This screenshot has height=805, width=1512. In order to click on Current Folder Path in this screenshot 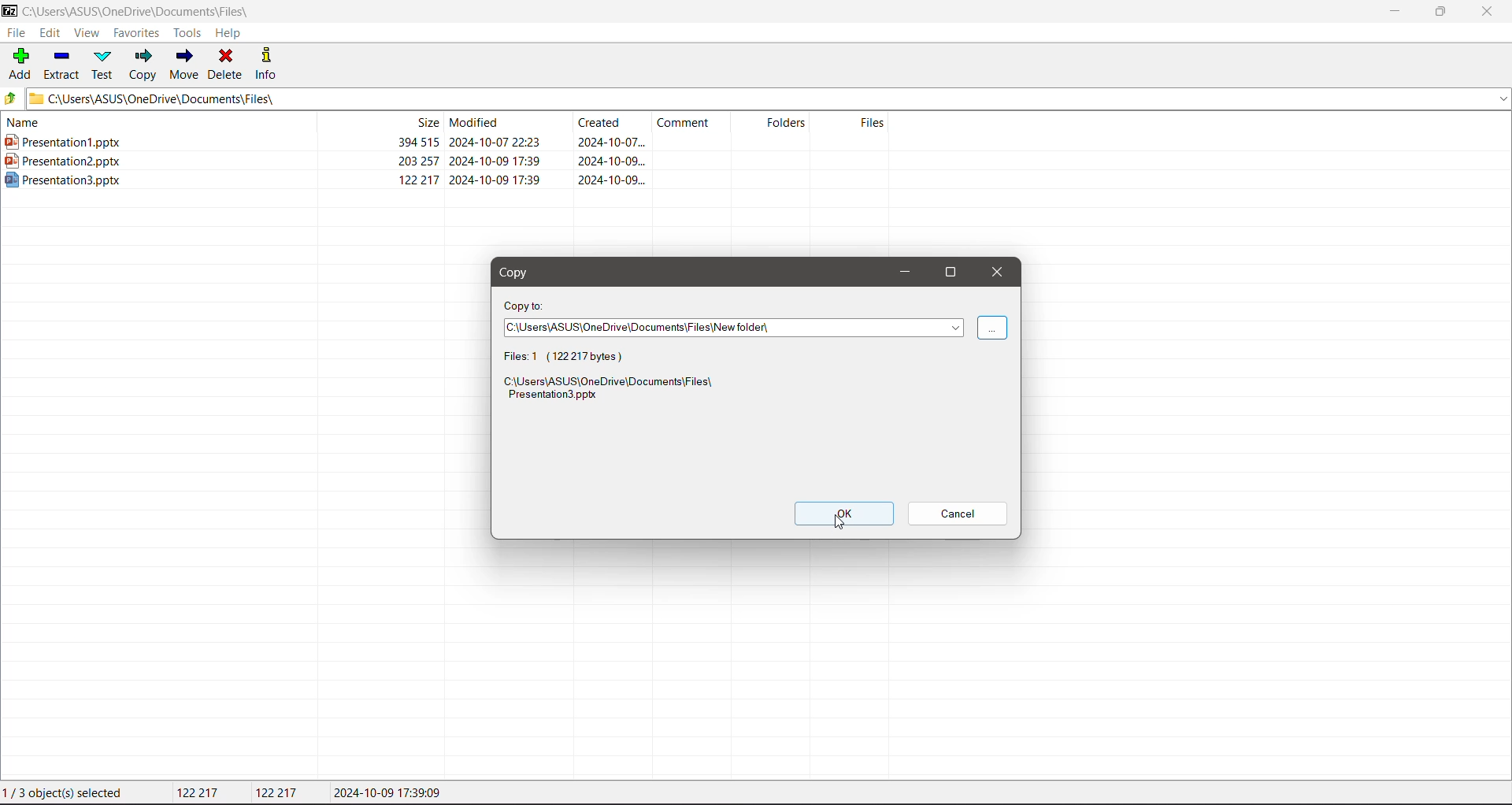, I will do `click(147, 9)`.